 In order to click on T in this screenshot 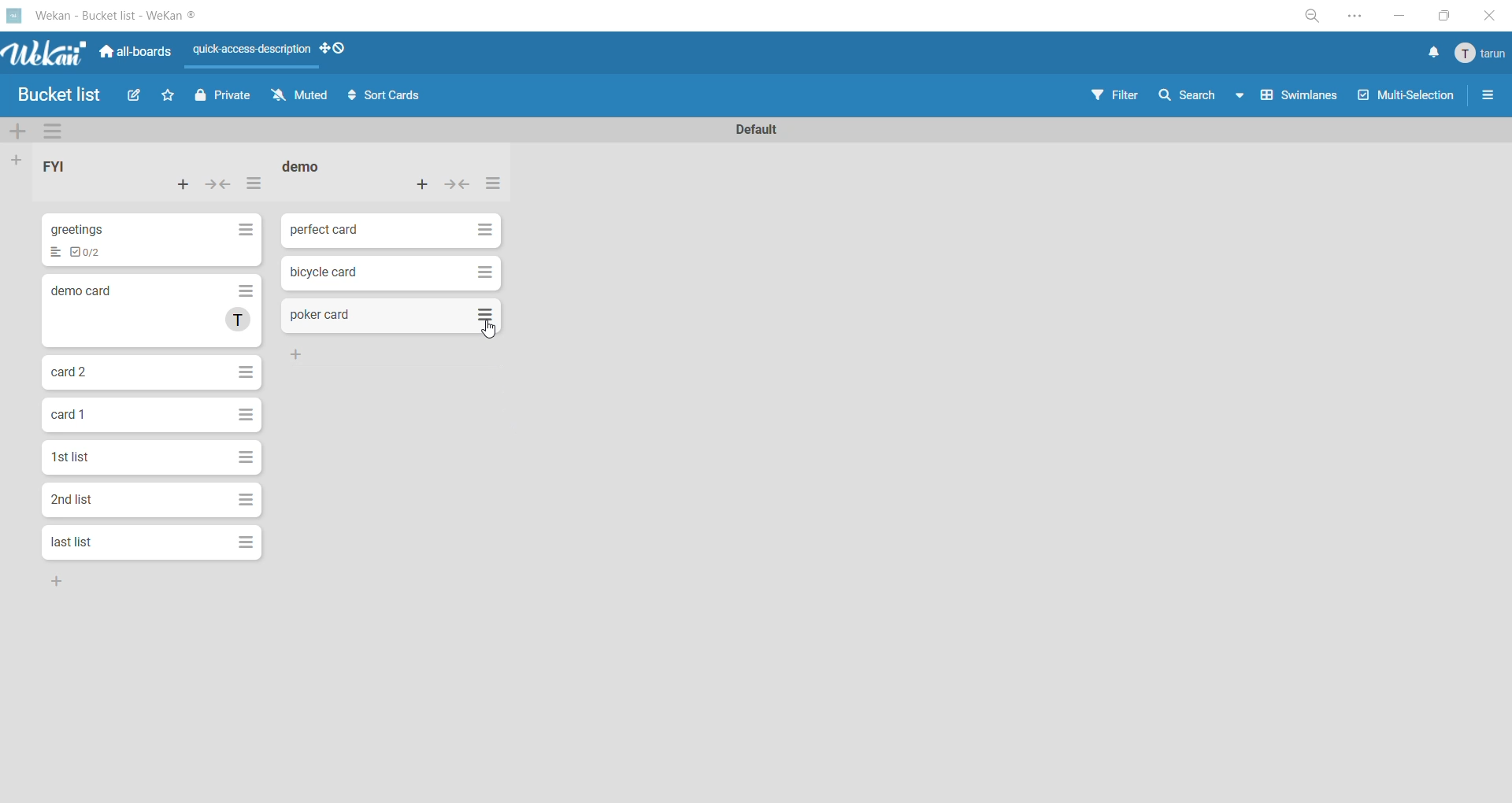, I will do `click(239, 321)`.